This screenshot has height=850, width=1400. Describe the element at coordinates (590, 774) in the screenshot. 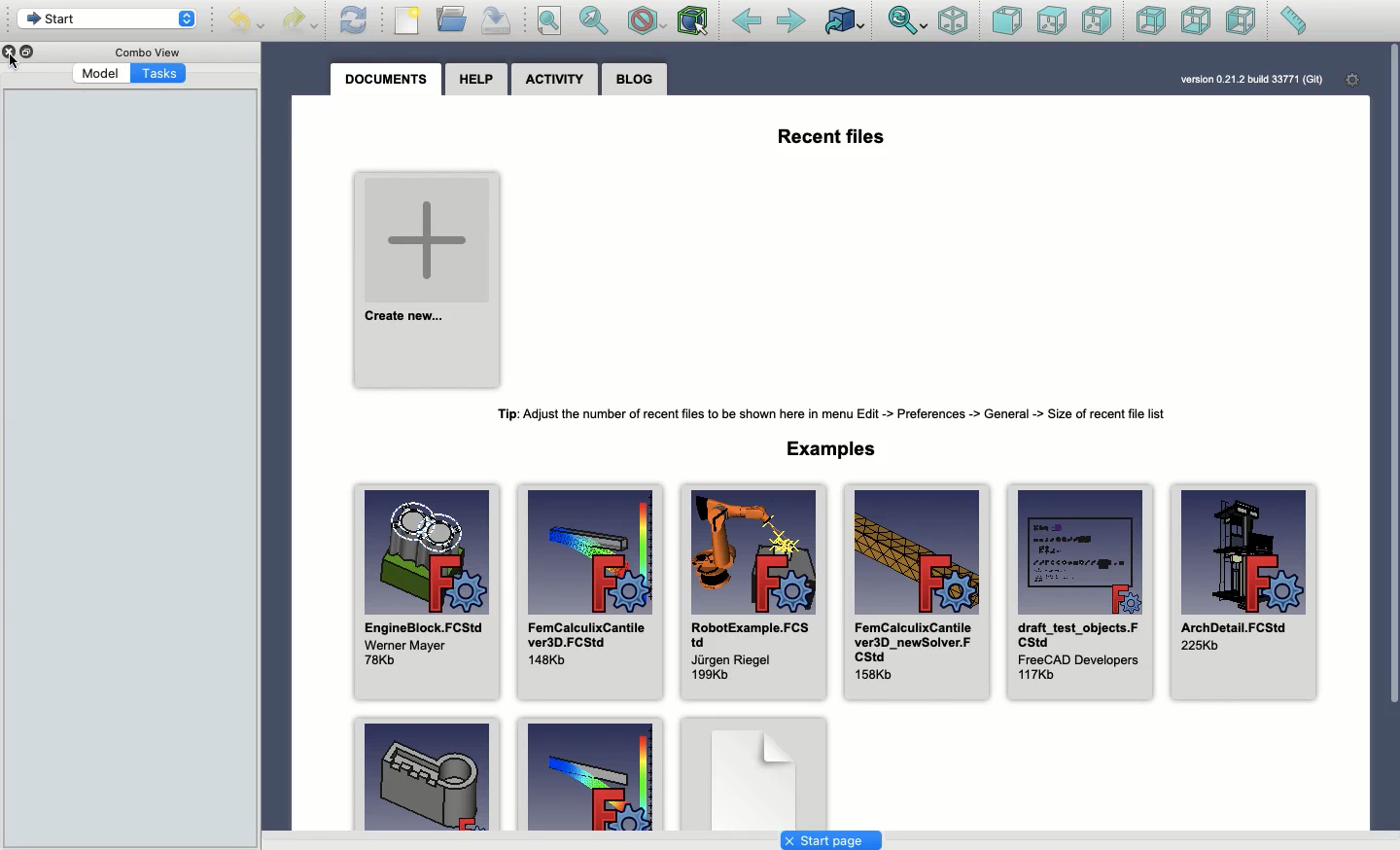

I see `Example` at that location.